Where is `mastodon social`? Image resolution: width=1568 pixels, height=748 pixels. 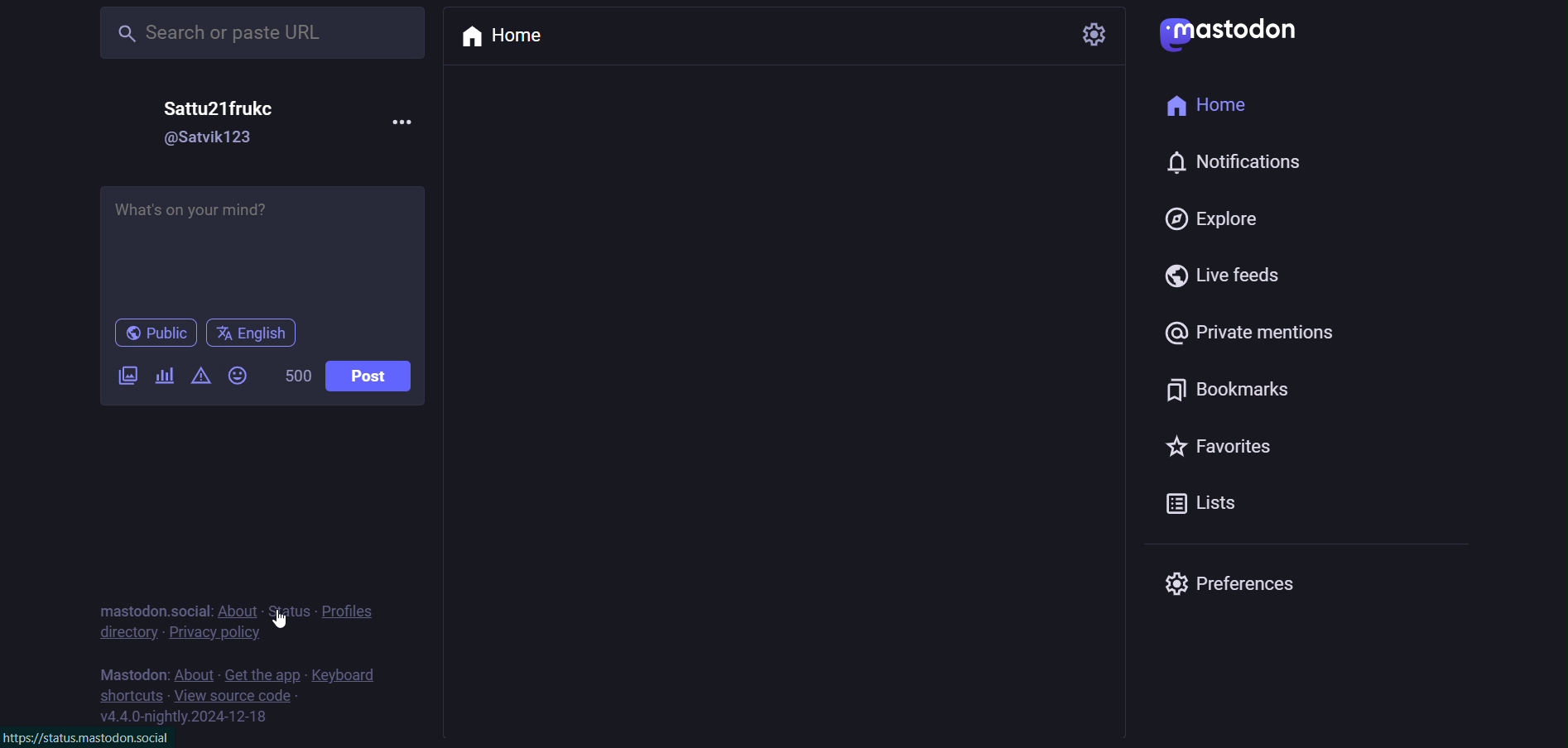 mastodon social is located at coordinates (154, 674).